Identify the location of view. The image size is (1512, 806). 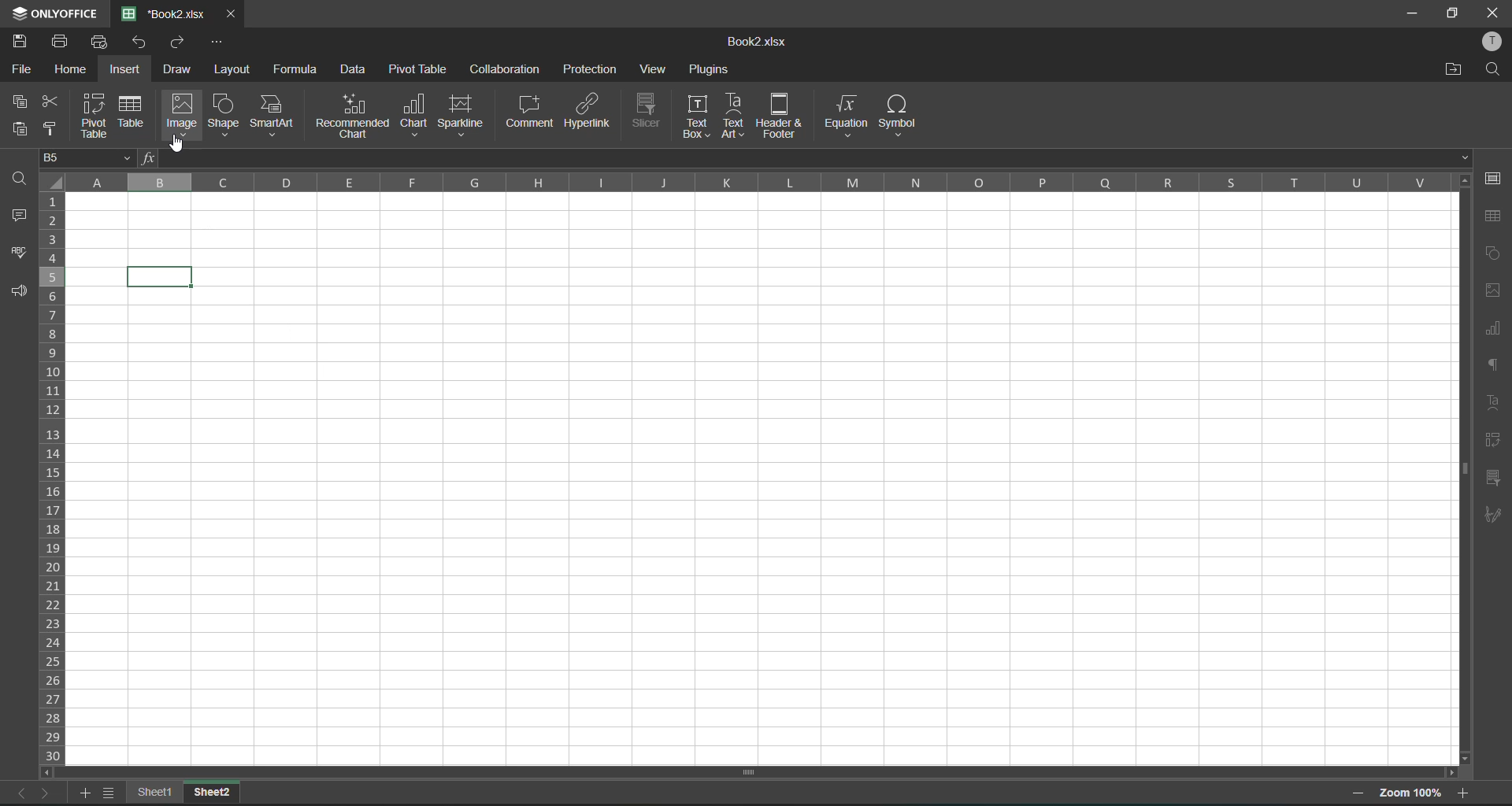
(657, 72).